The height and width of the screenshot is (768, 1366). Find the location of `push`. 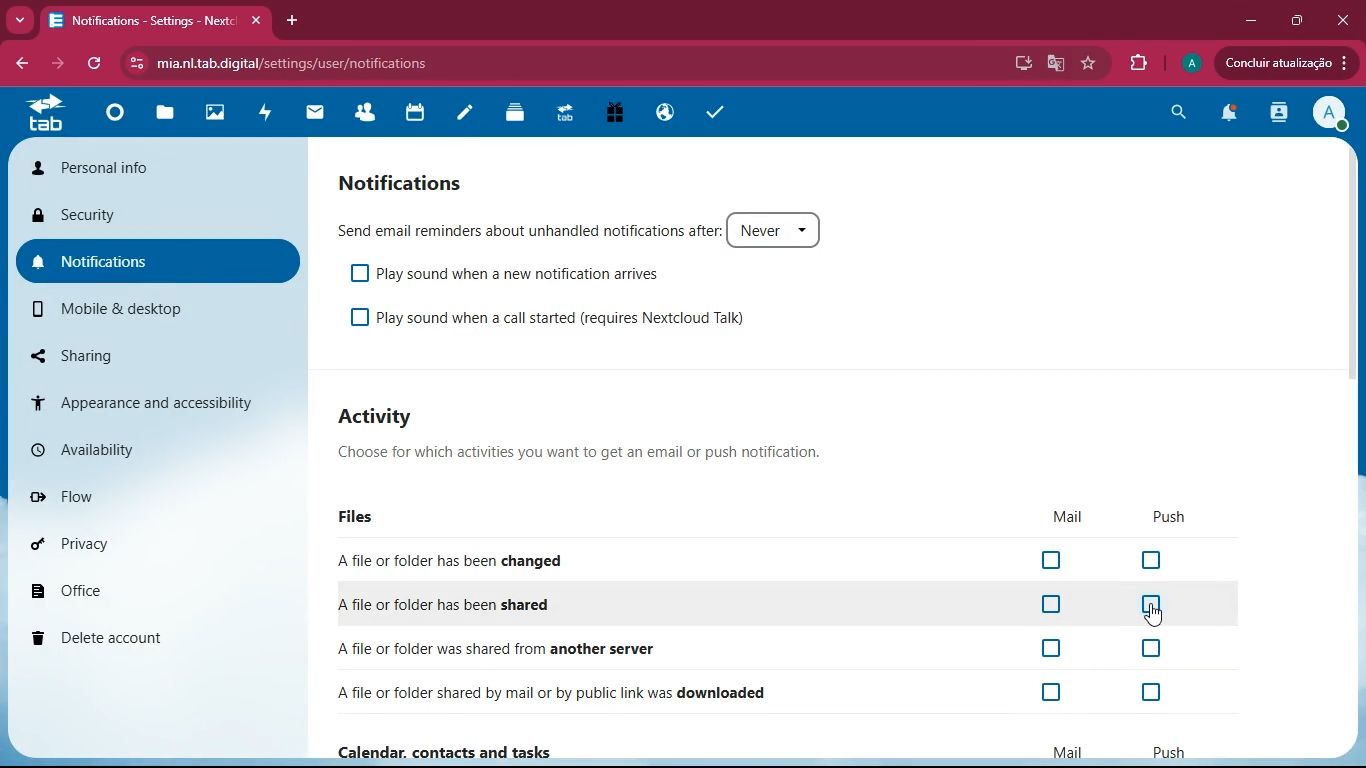

push is located at coordinates (1160, 751).